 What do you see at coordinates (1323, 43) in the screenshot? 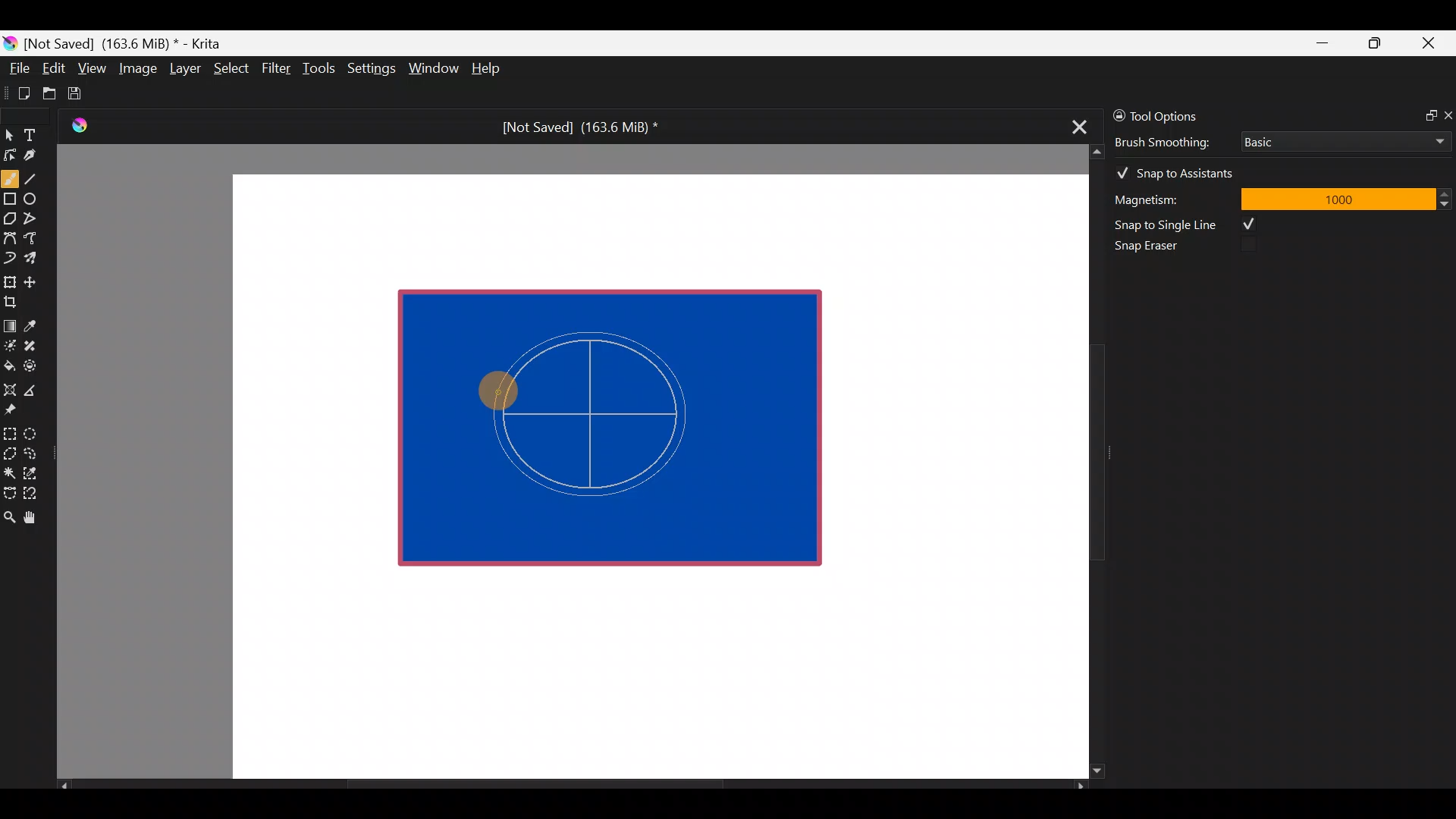
I see `Minimize` at bounding box center [1323, 43].